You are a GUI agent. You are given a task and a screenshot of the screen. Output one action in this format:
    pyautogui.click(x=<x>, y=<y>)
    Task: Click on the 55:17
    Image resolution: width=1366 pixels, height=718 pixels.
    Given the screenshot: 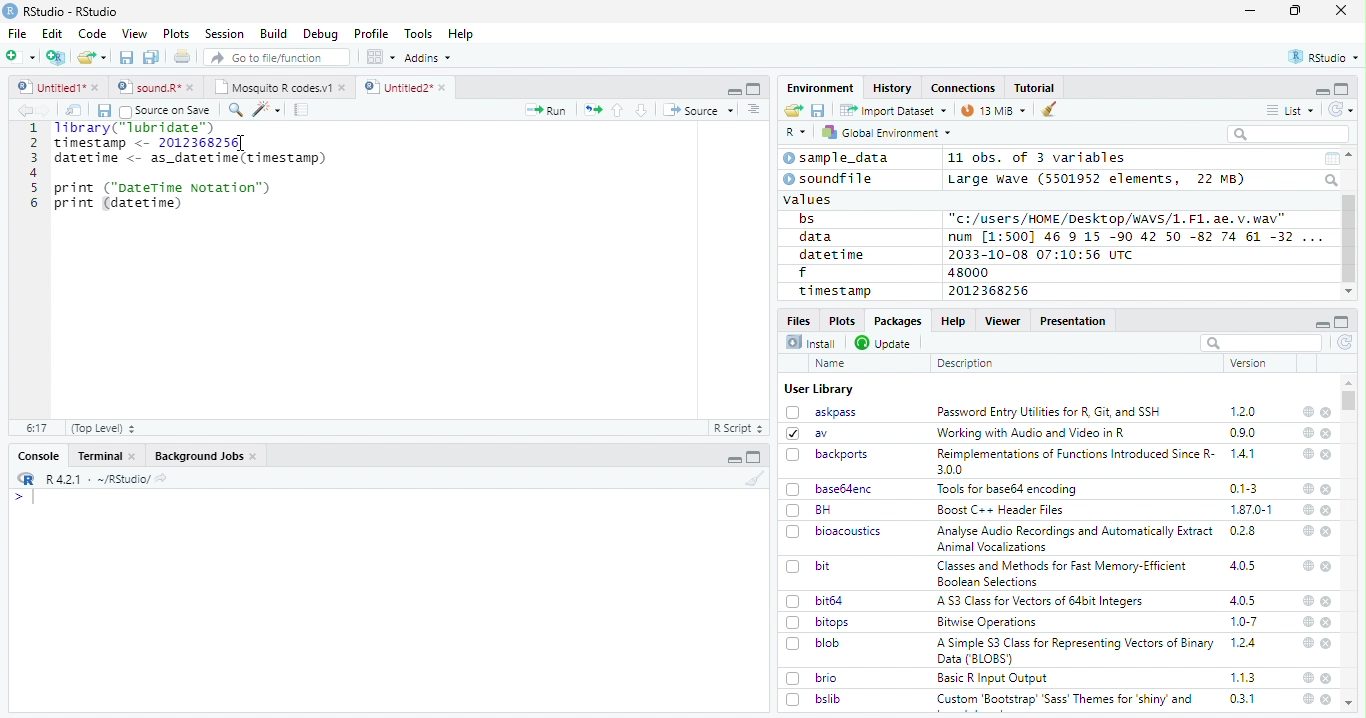 What is the action you would take?
    pyautogui.click(x=38, y=428)
    